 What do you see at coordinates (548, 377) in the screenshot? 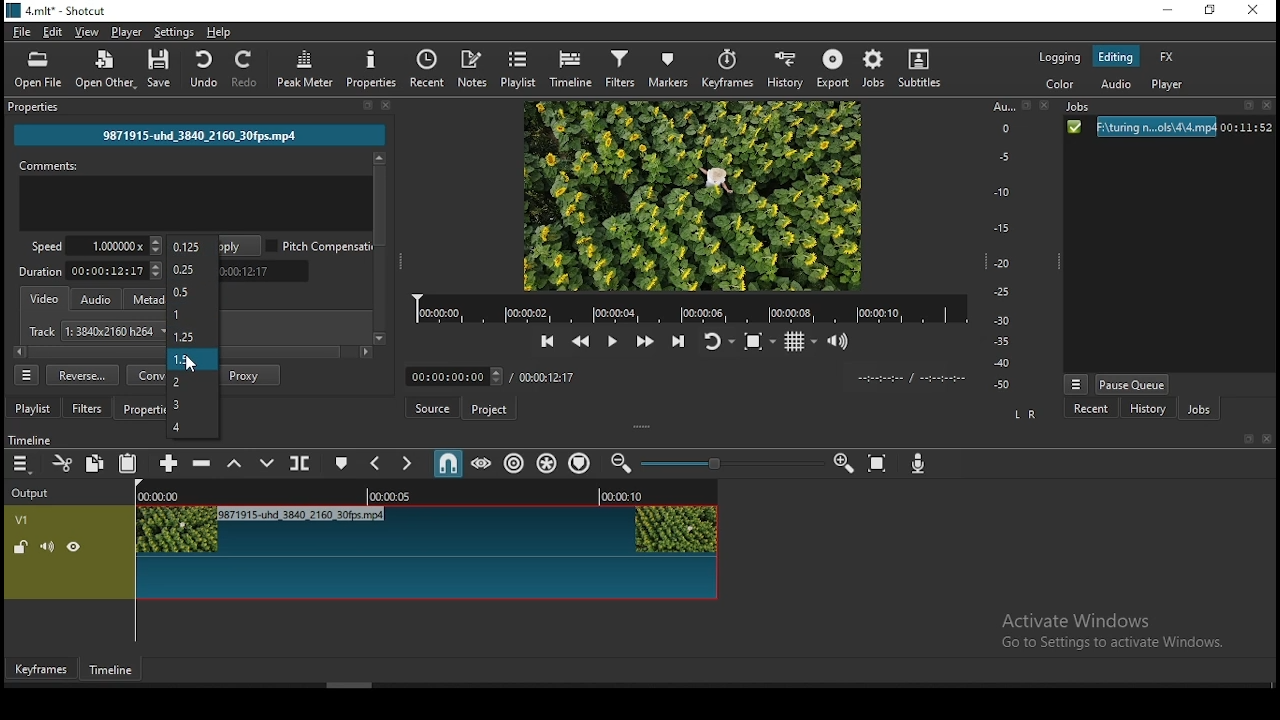
I see `total time` at bounding box center [548, 377].